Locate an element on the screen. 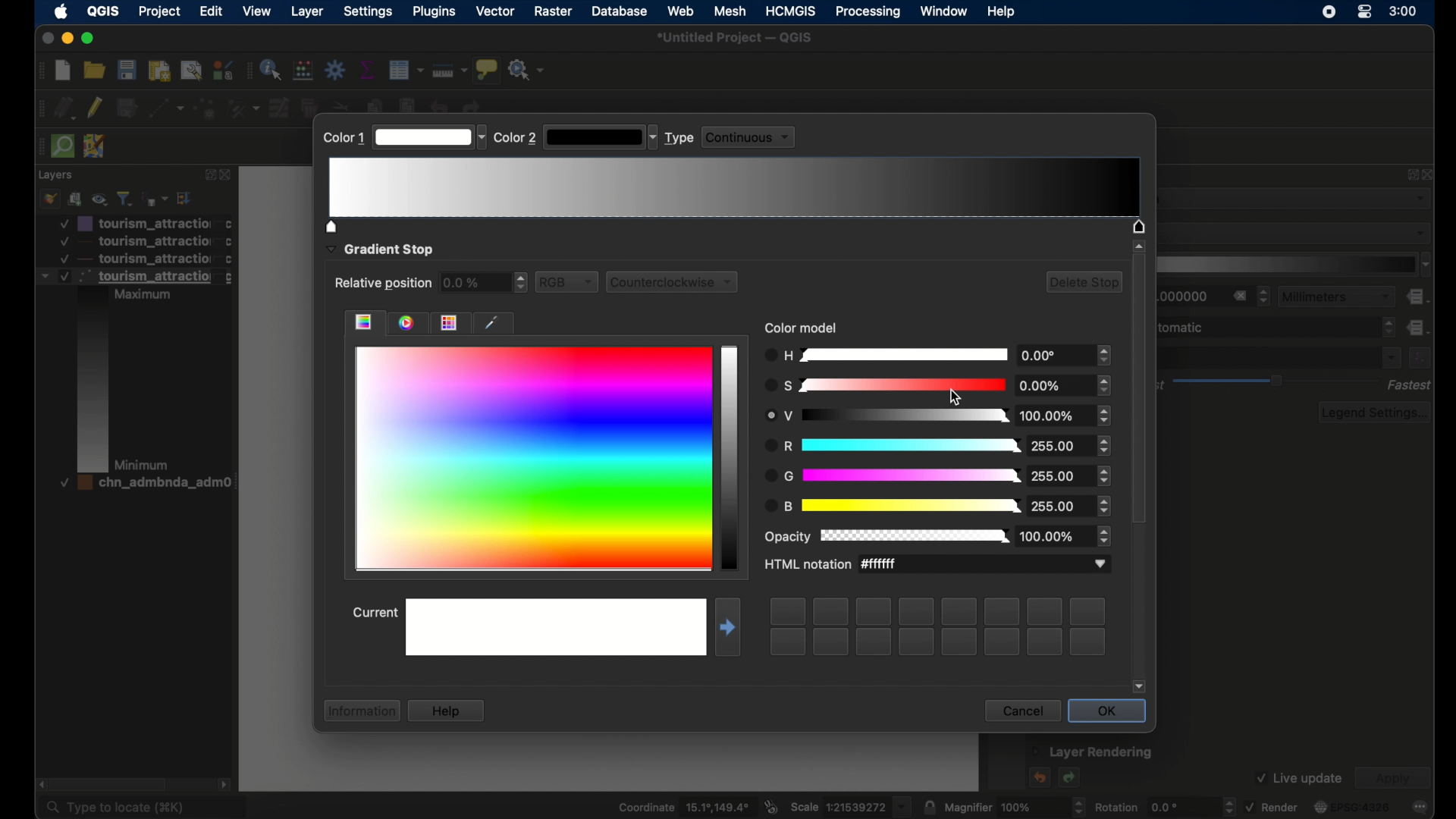  mesh is located at coordinates (730, 11).